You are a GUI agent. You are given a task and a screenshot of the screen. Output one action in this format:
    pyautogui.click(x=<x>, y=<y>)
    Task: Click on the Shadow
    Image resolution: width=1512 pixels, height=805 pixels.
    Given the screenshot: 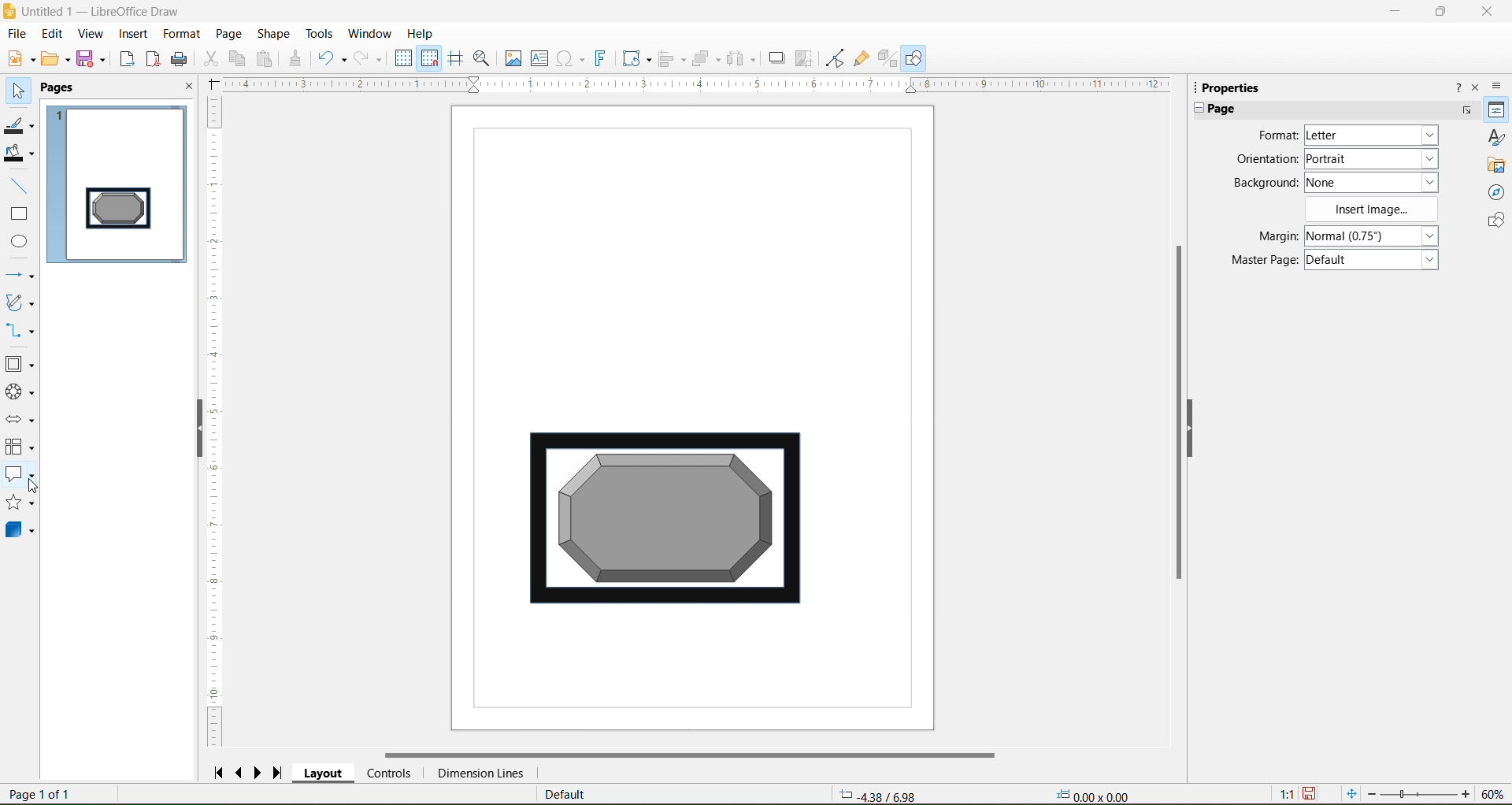 What is the action you would take?
    pyautogui.click(x=774, y=58)
    